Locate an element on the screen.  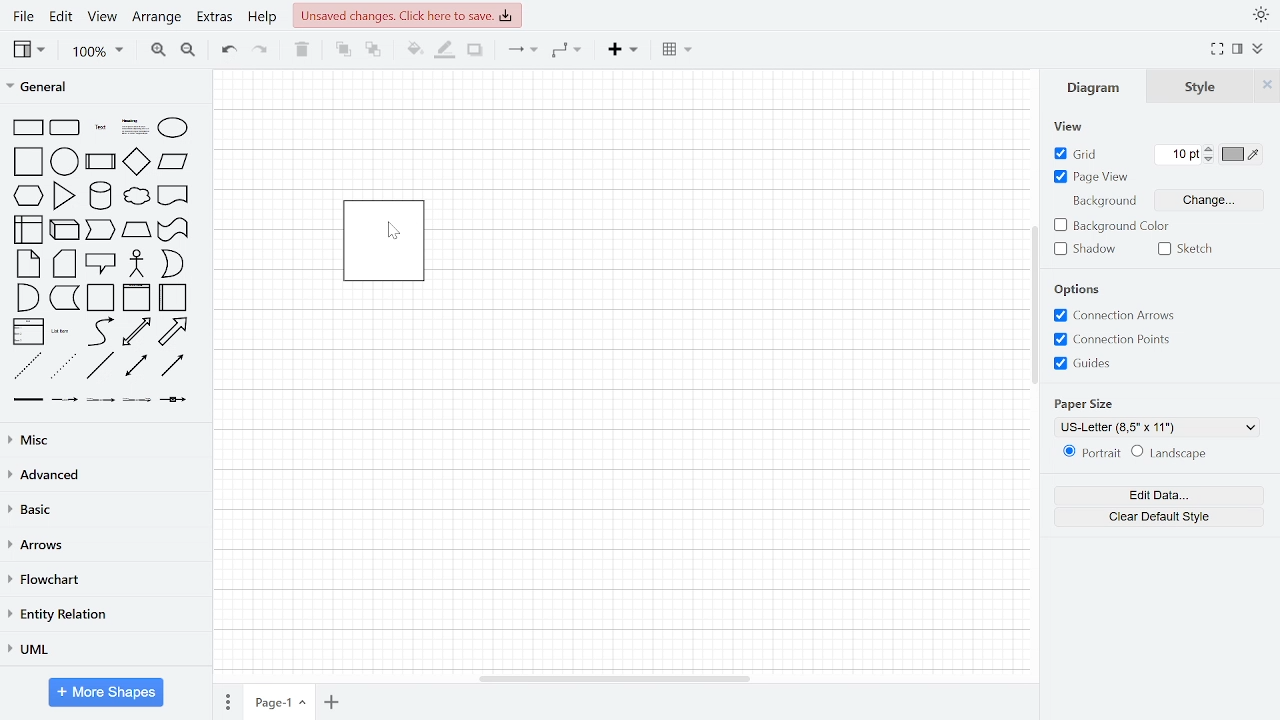
shadow is located at coordinates (474, 50).